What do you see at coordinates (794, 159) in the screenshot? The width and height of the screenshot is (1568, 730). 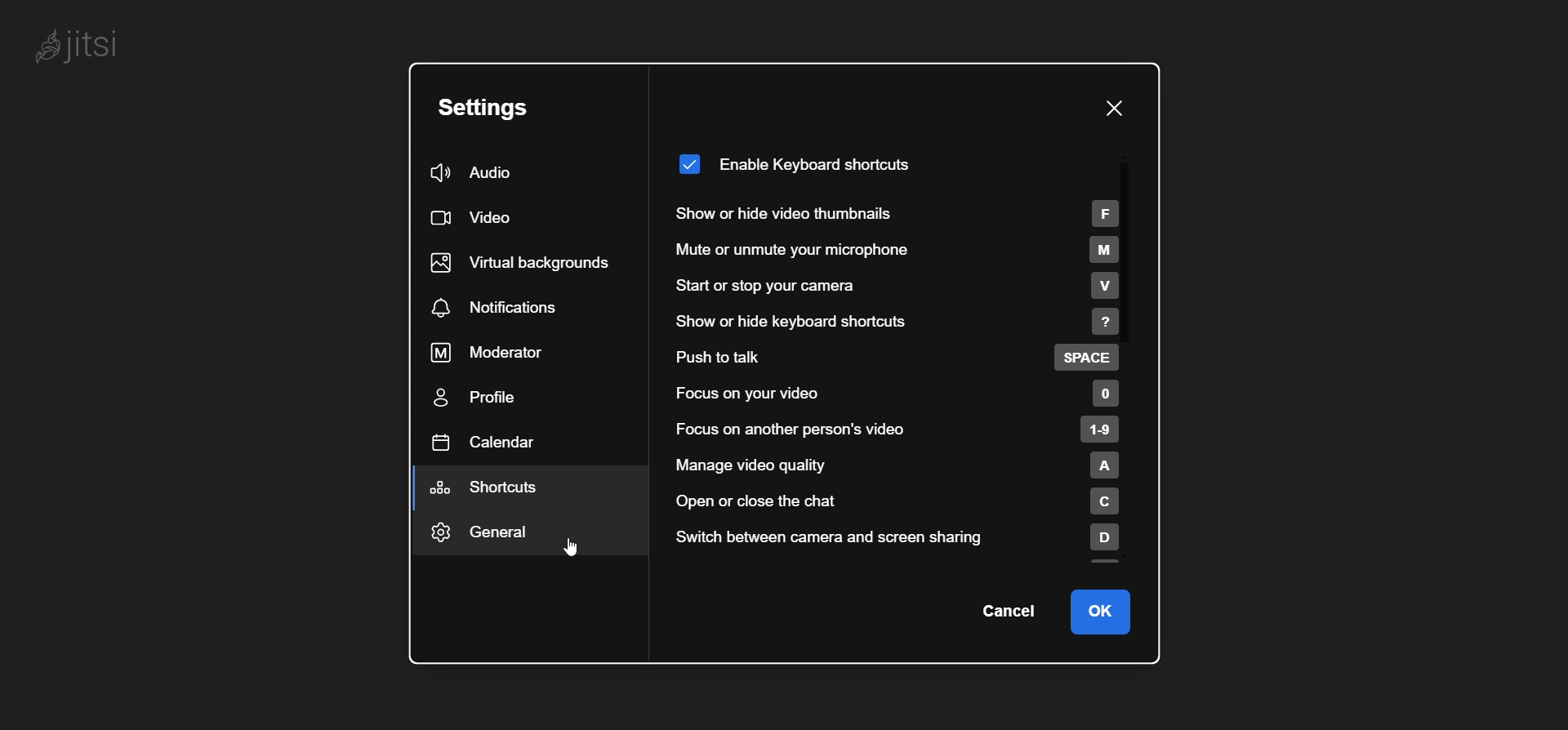 I see `enable keyboard shortcut` at bounding box center [794, 159].